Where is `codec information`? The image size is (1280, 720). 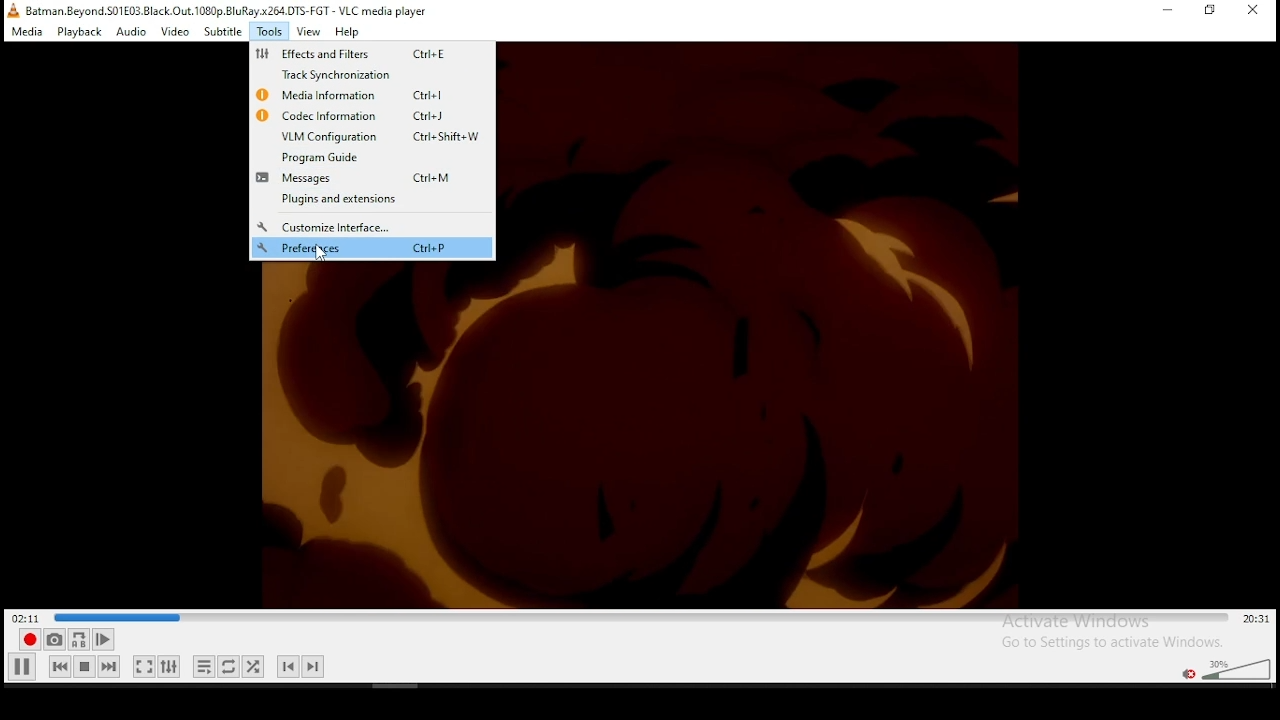 codec information is located at coordinates (353, 115).